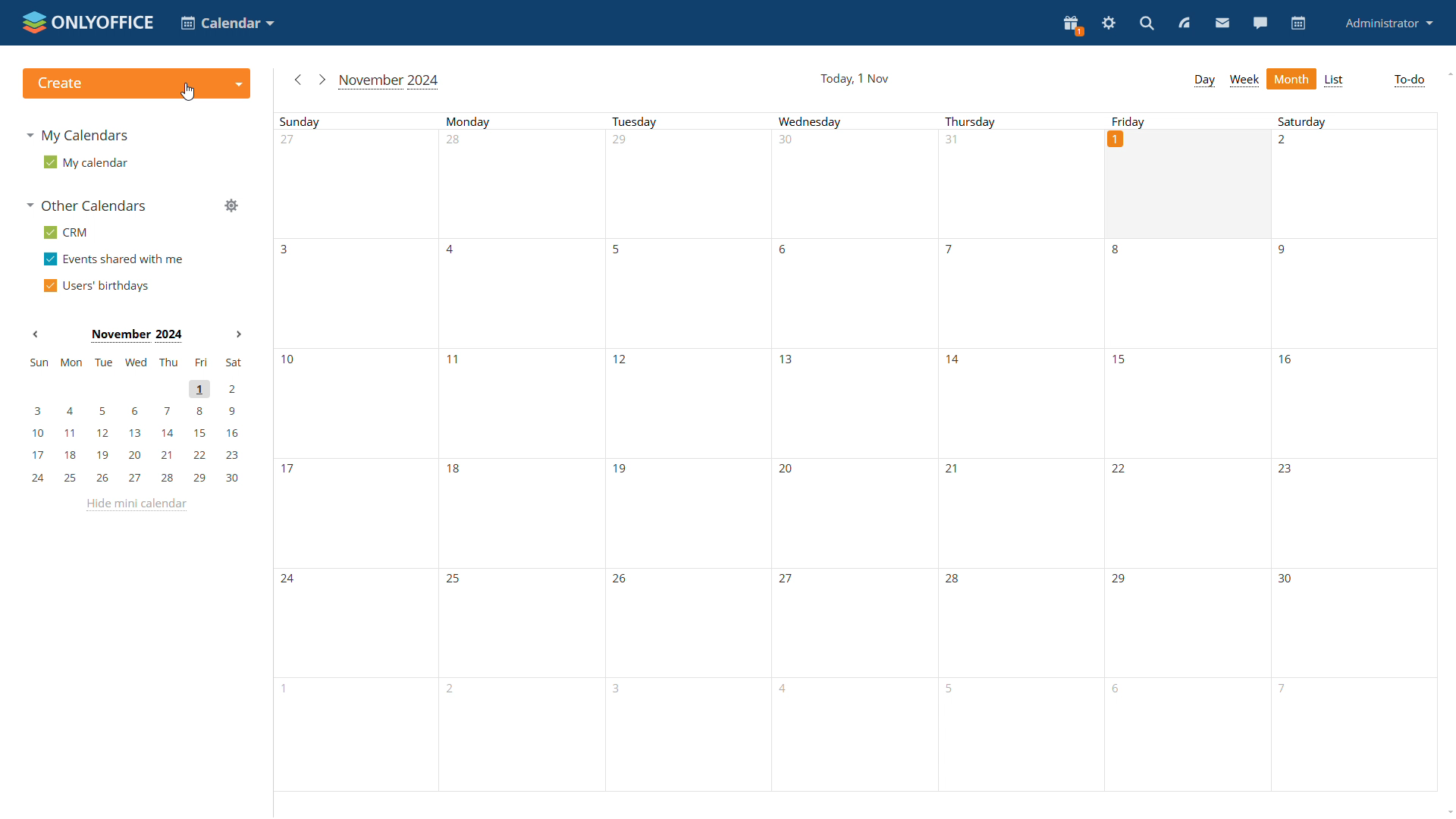 The height and width of the screenshot is (819, 1456). I want to click on hide mini calendar, so click(140, 505).